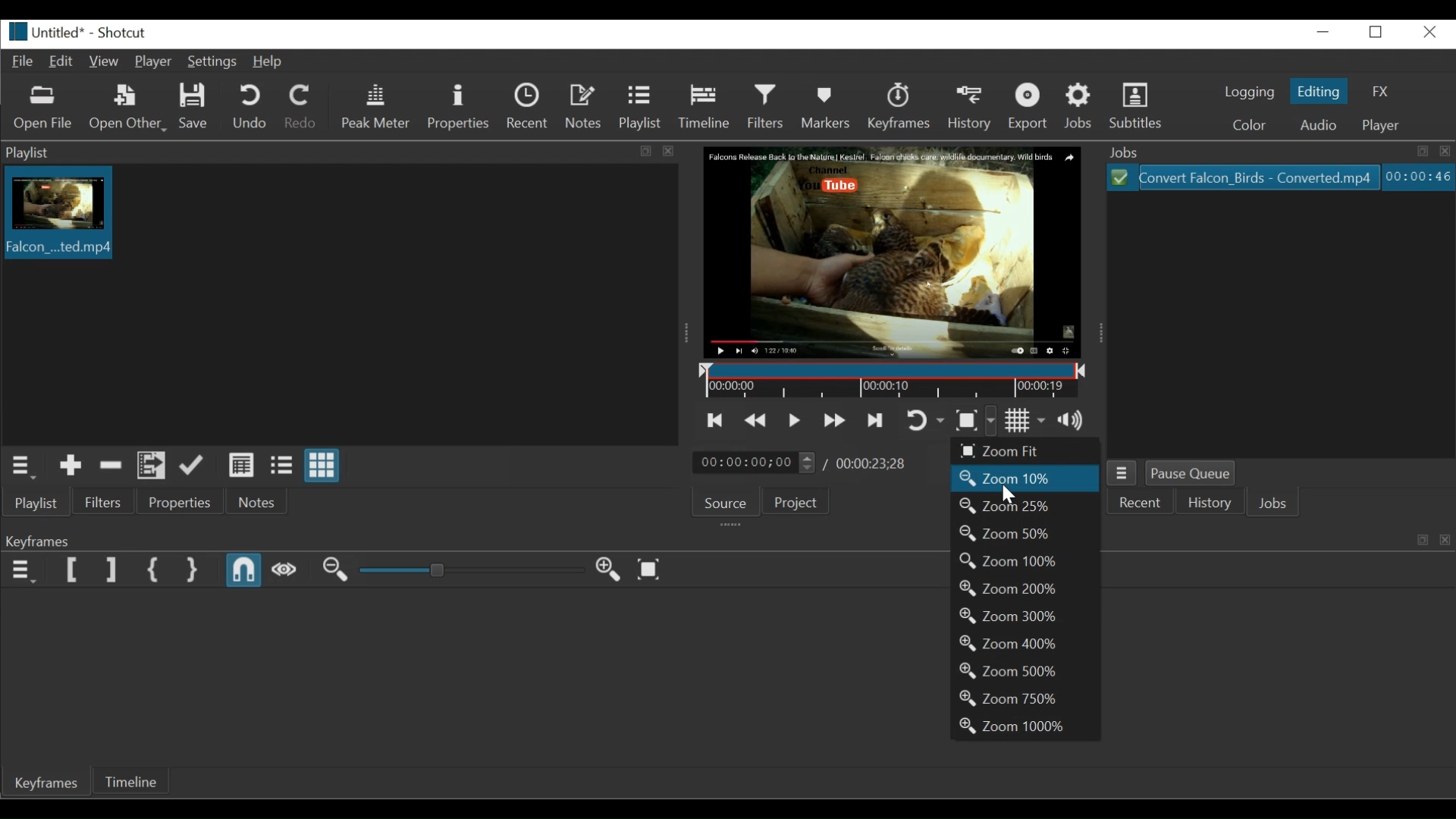  Describe the element at coordinates (1241, 177) in the screenshot. I see `File` at that location.